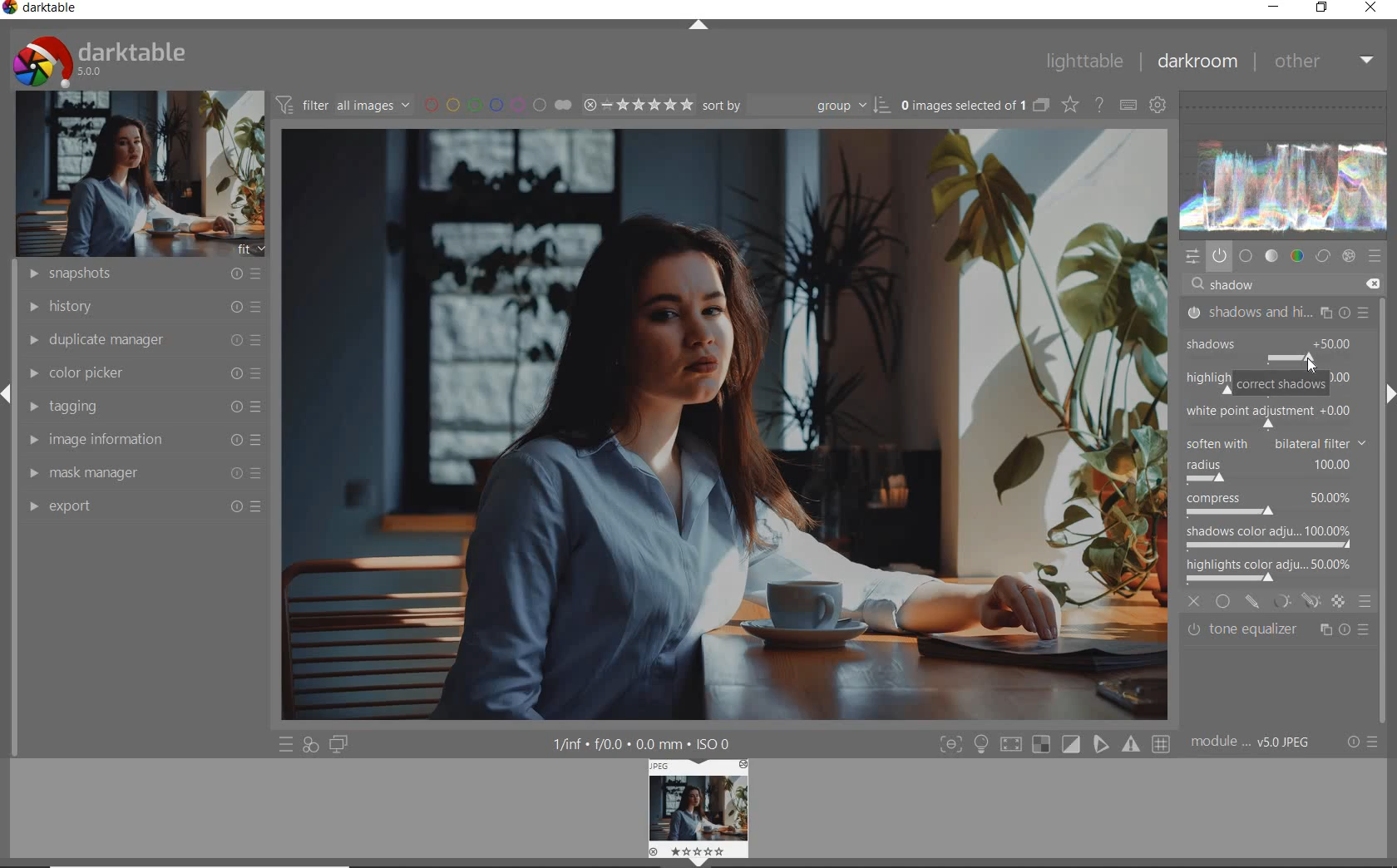 Image resolution: width=1397 pixels, height=868 pixels. I want to click on waveform, so click(1288, 165).